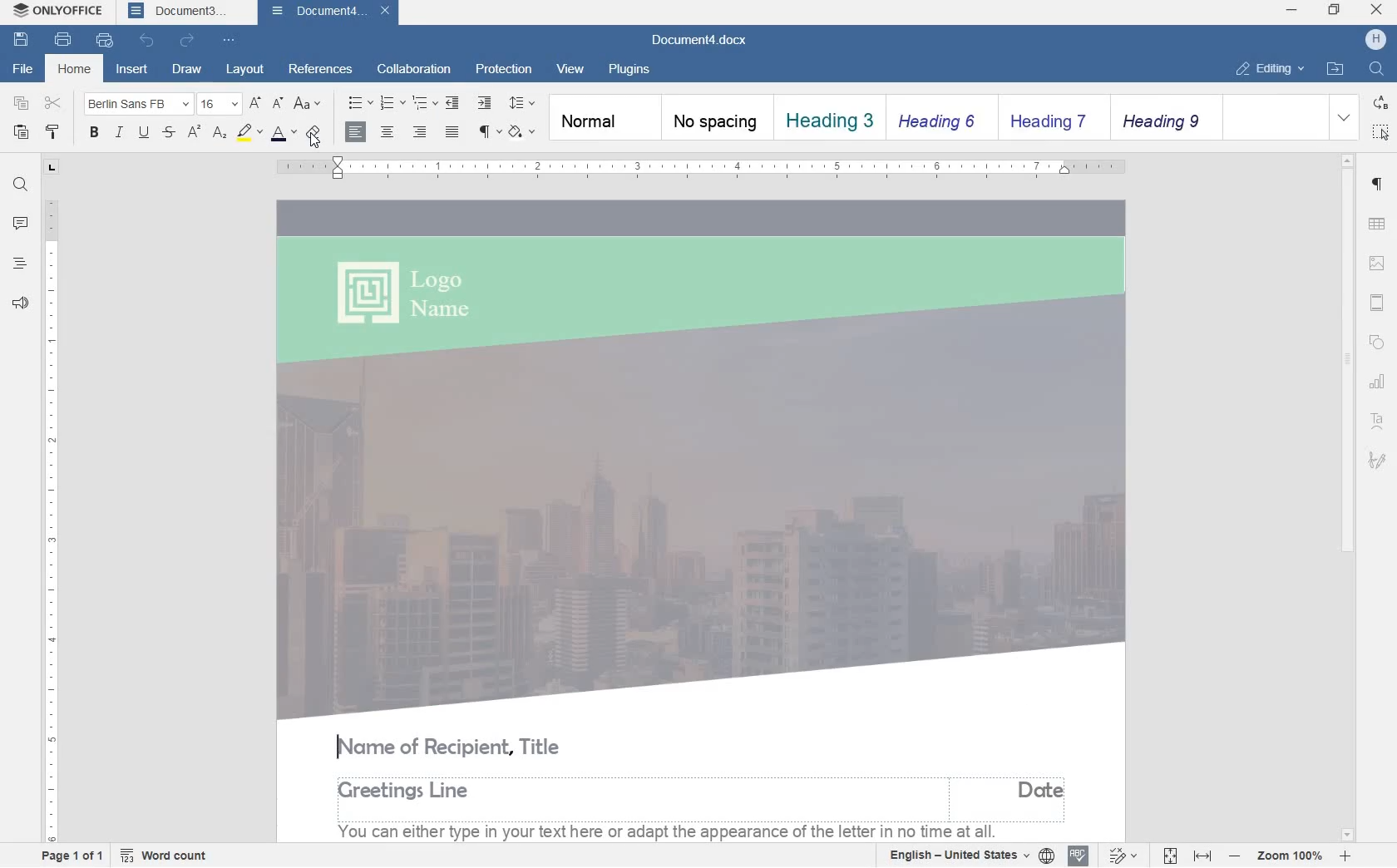 Image resolution: width=1397 pixels, height=868 pixels. What do you see at coordinates (1378, 70) in the screenshot?
I see `find` at bounding box center [1378, 70].